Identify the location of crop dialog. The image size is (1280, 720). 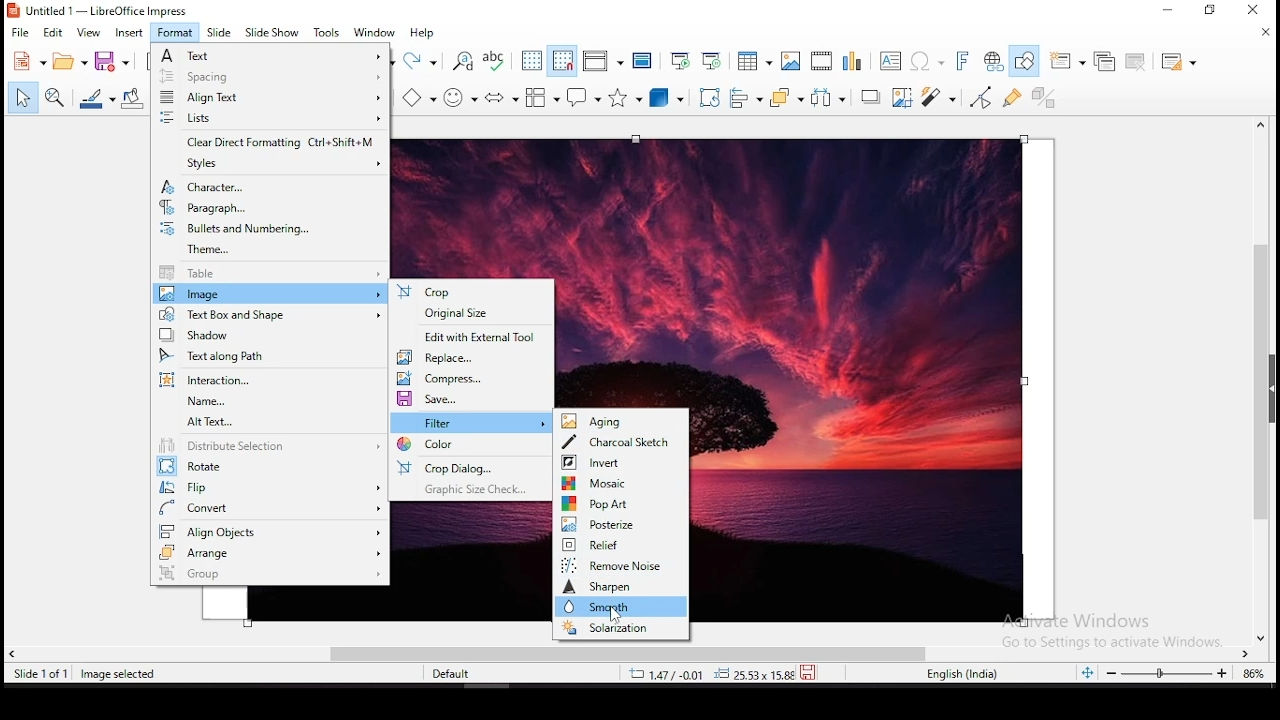
(472, 468).